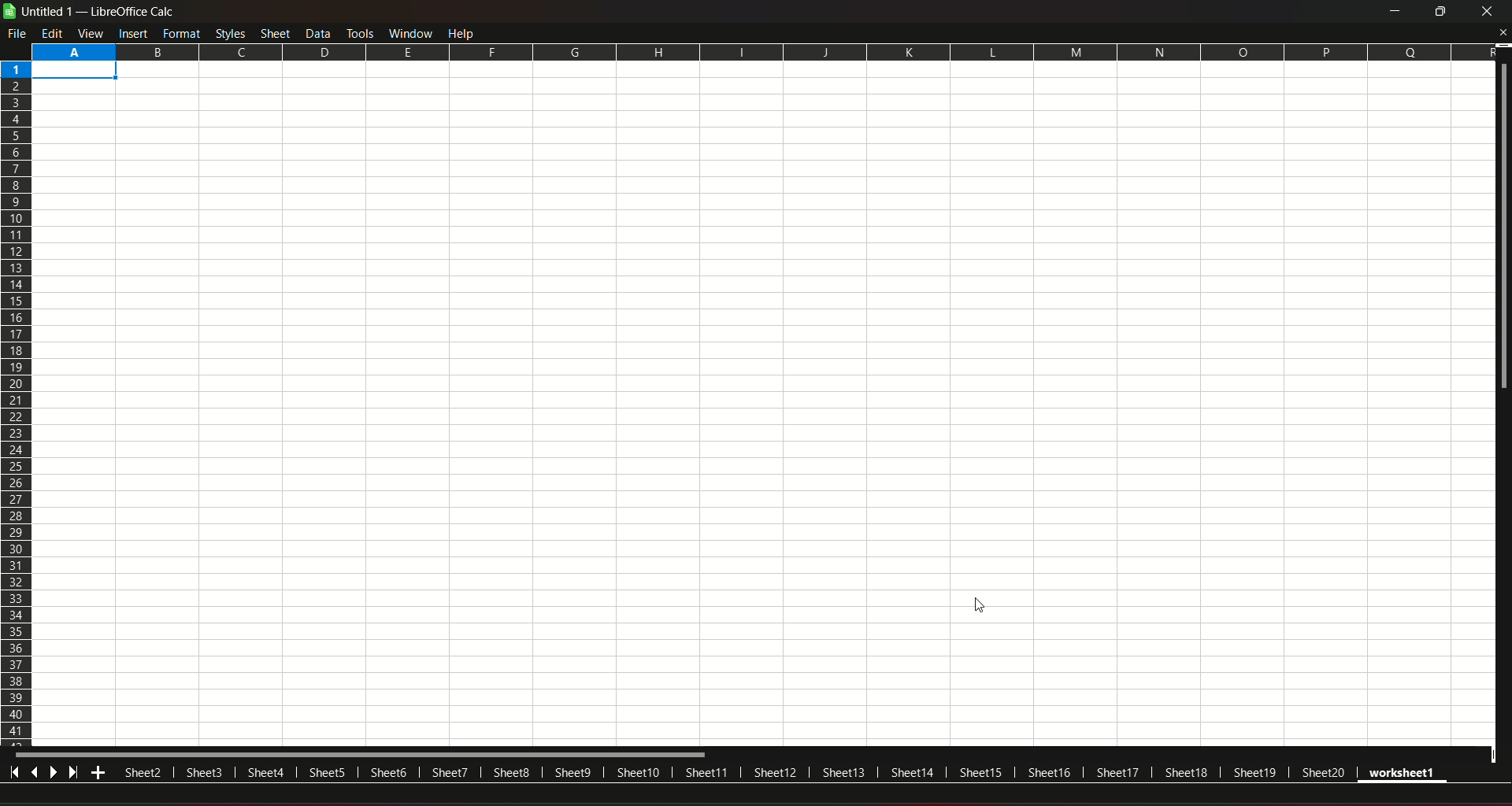 This screenshot has height=806, width=1512. I want to click on Close, so click(1487, 13).